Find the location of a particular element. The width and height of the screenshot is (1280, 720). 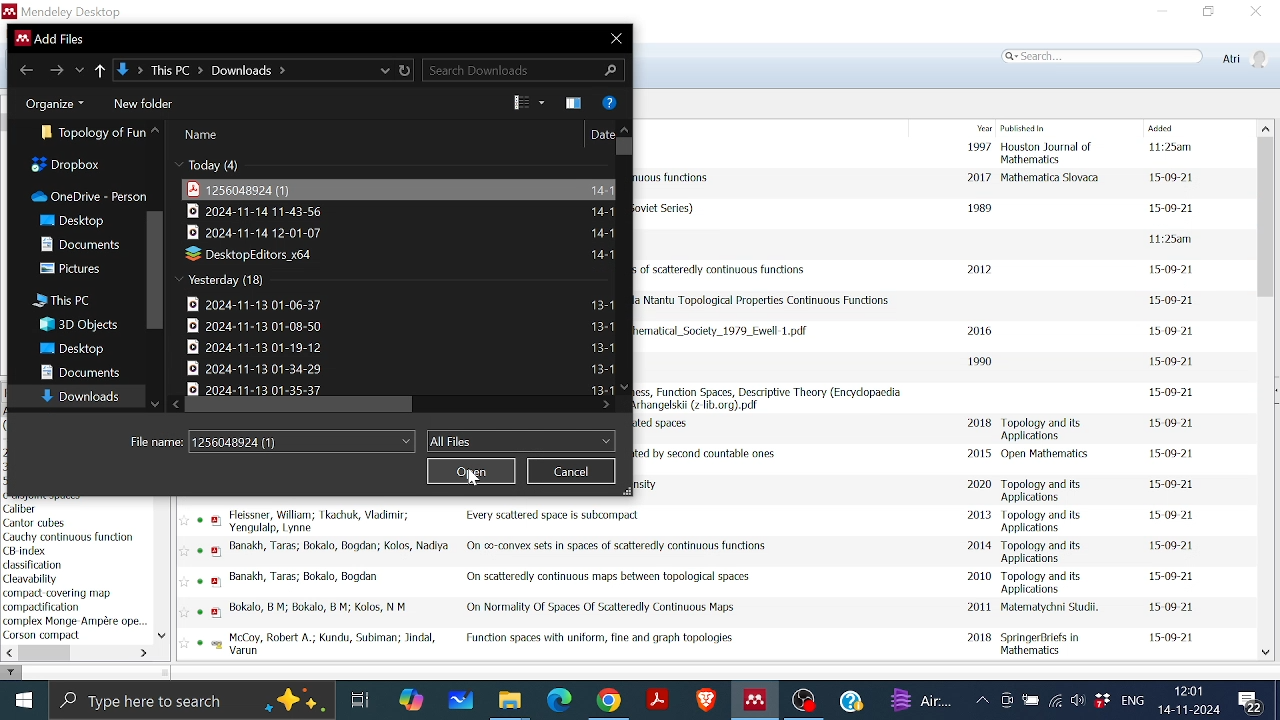

Published in is located at coordinates (1024, 127).